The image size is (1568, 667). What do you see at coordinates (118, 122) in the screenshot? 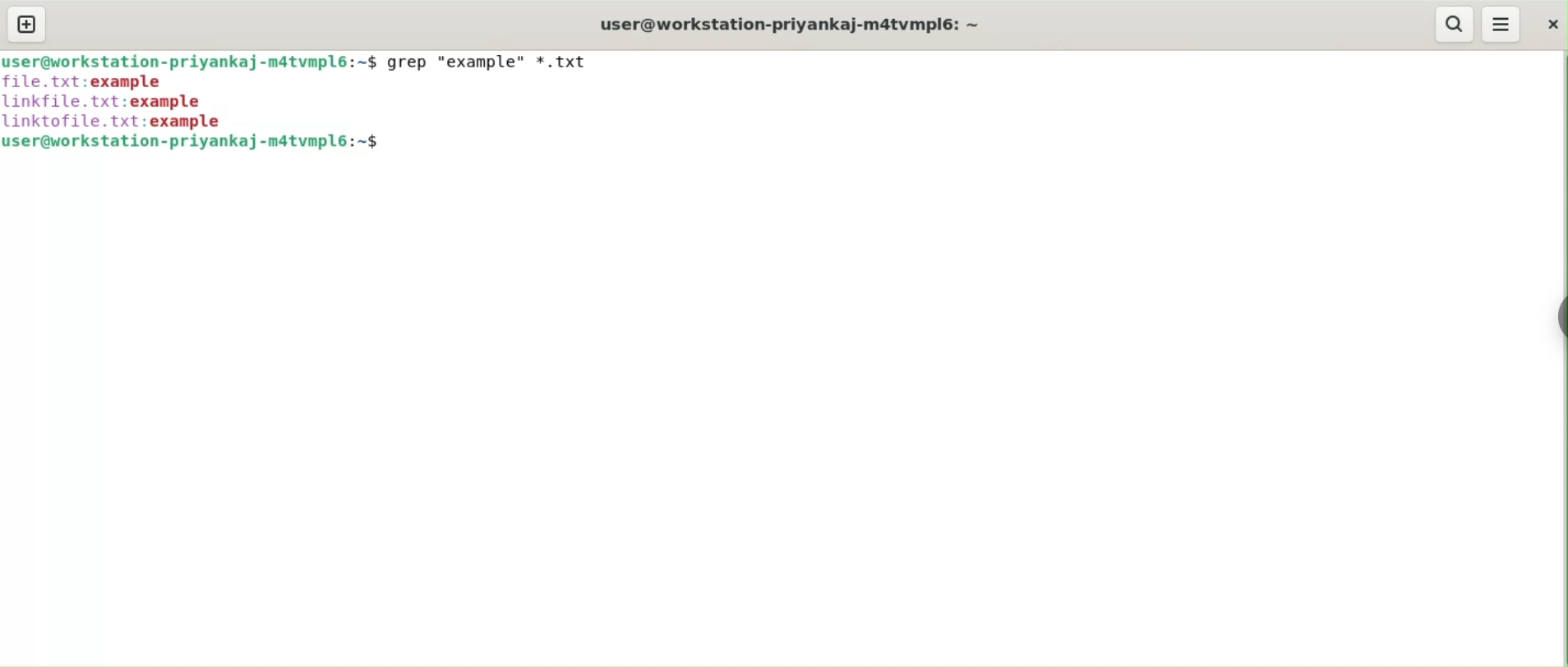
I see `linktofile txt example` at bounding box center [118, 122].